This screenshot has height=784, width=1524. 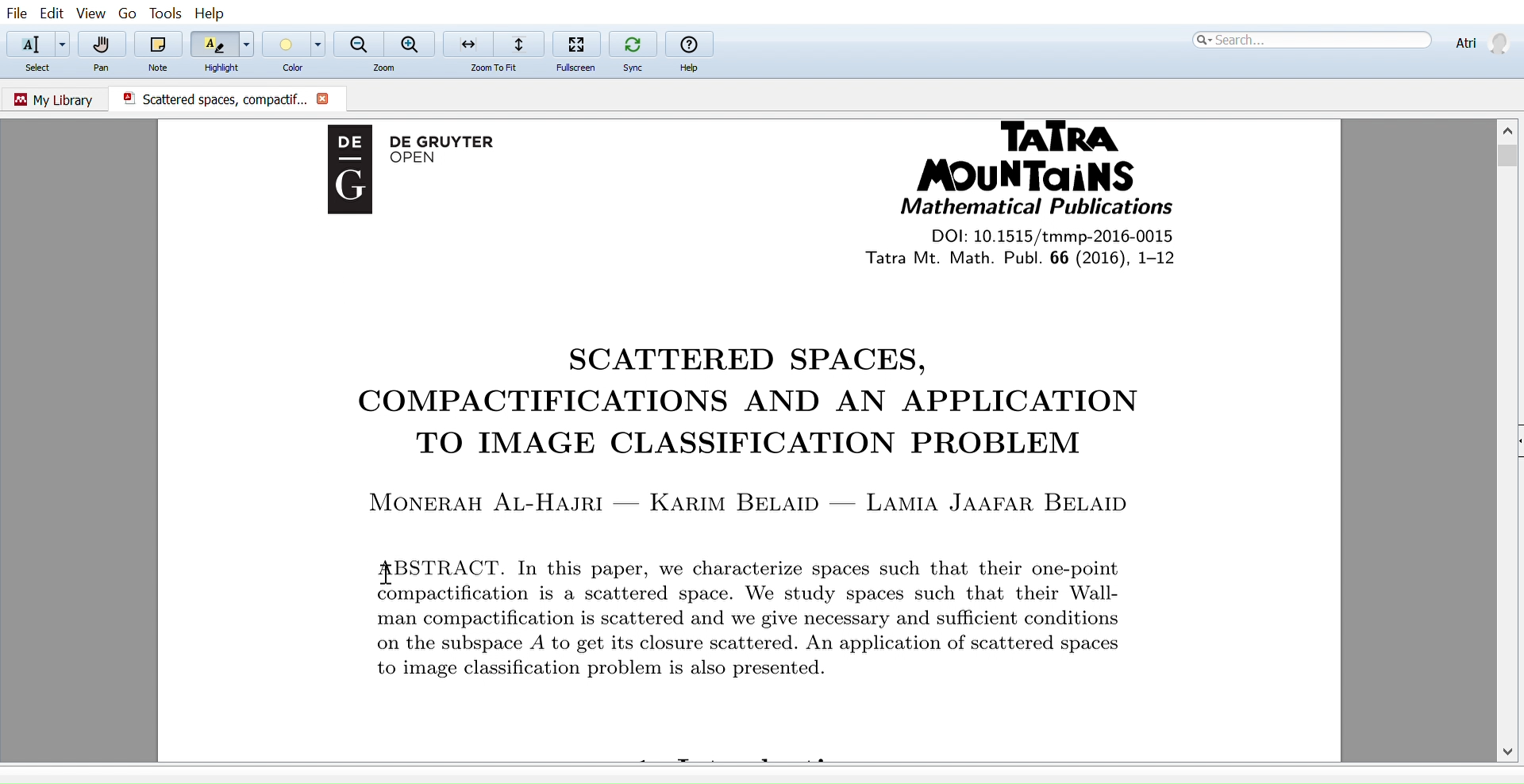 I want to click on View, so click(x=92, y=14).